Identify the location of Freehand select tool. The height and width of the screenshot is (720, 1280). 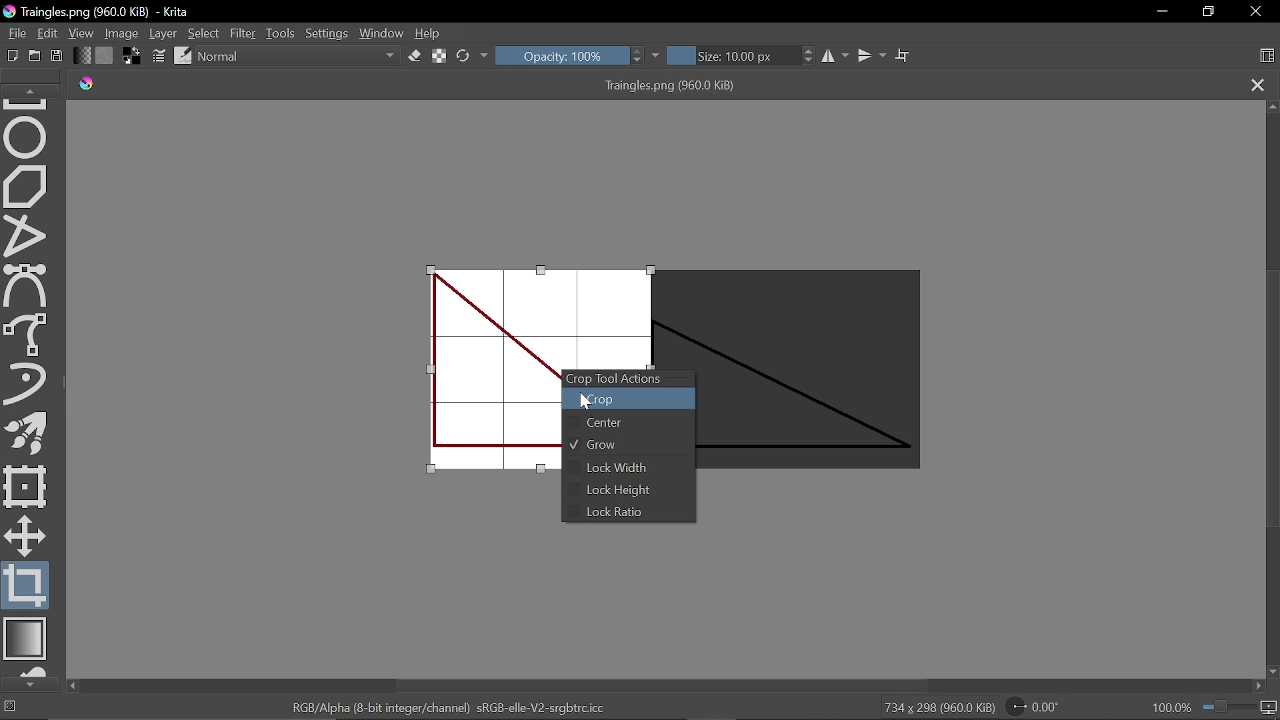
(28, 333).